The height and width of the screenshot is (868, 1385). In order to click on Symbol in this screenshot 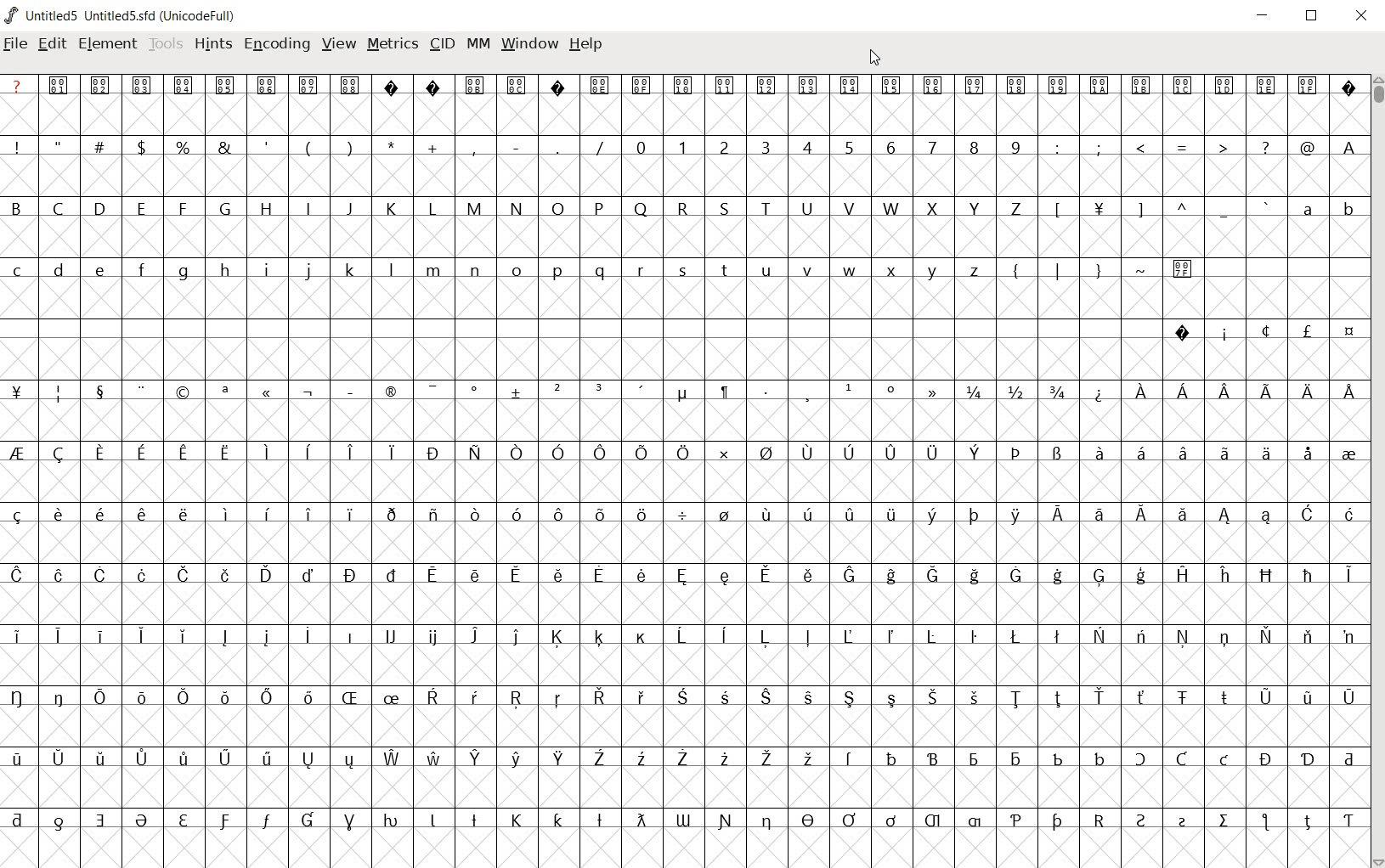, I will do `click(267, 759)`.